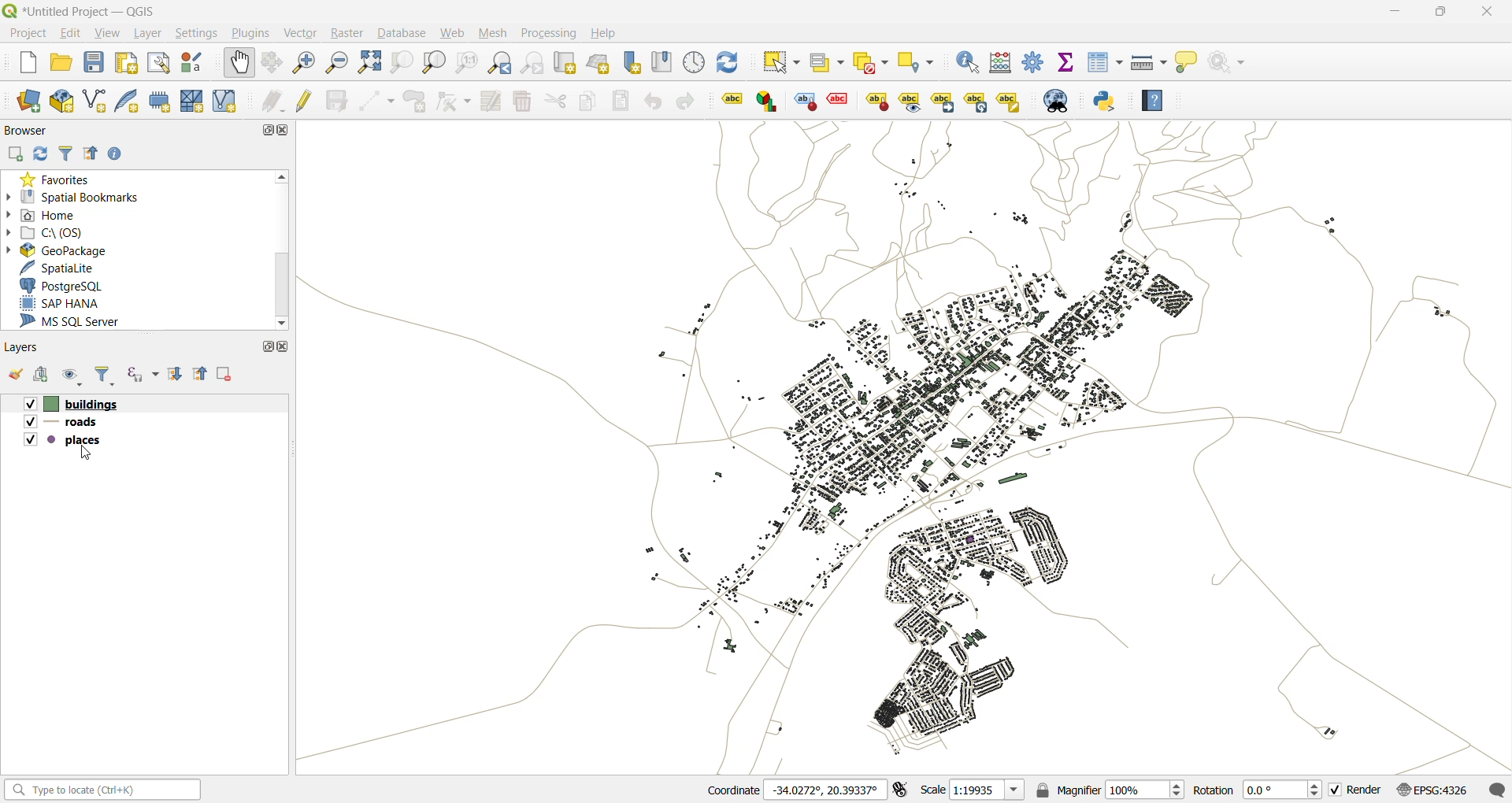 The height and width of the screenshot is (803, 1512). I want to click on add polygon, so click(416, 102).